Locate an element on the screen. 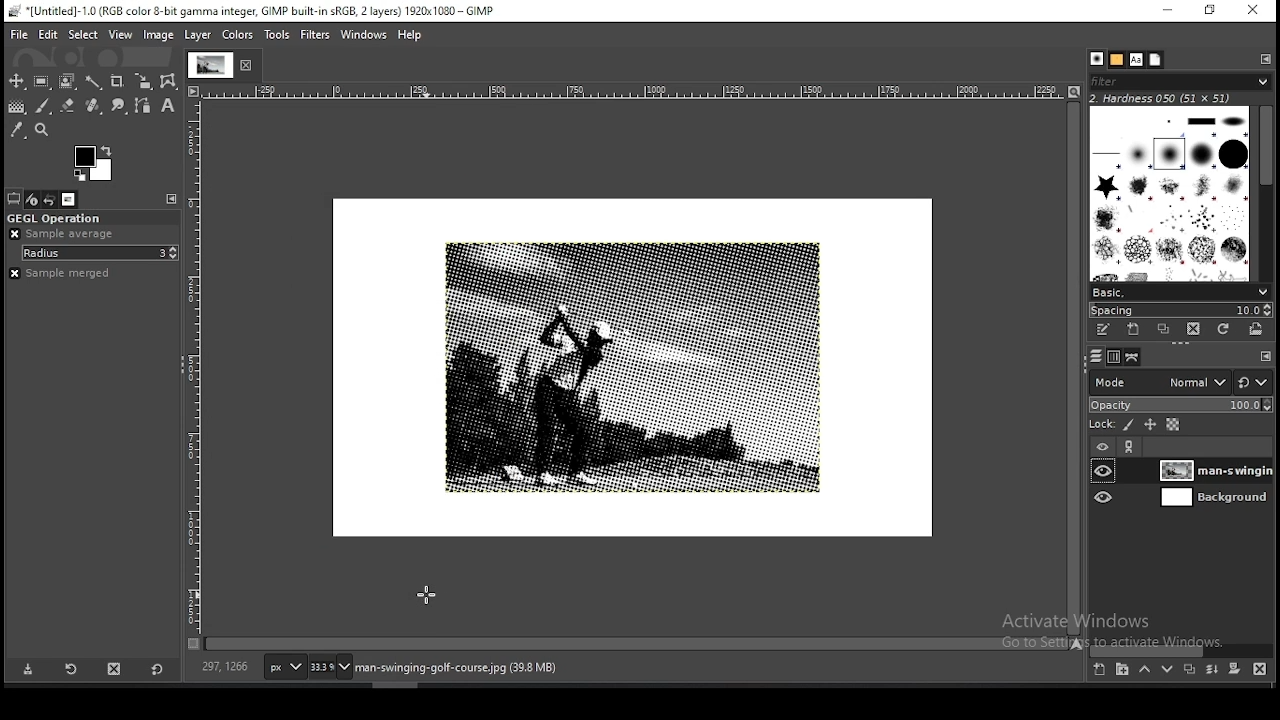 This screenshot has height=720, width=1280. layers is located at coordinates (1096, 358).